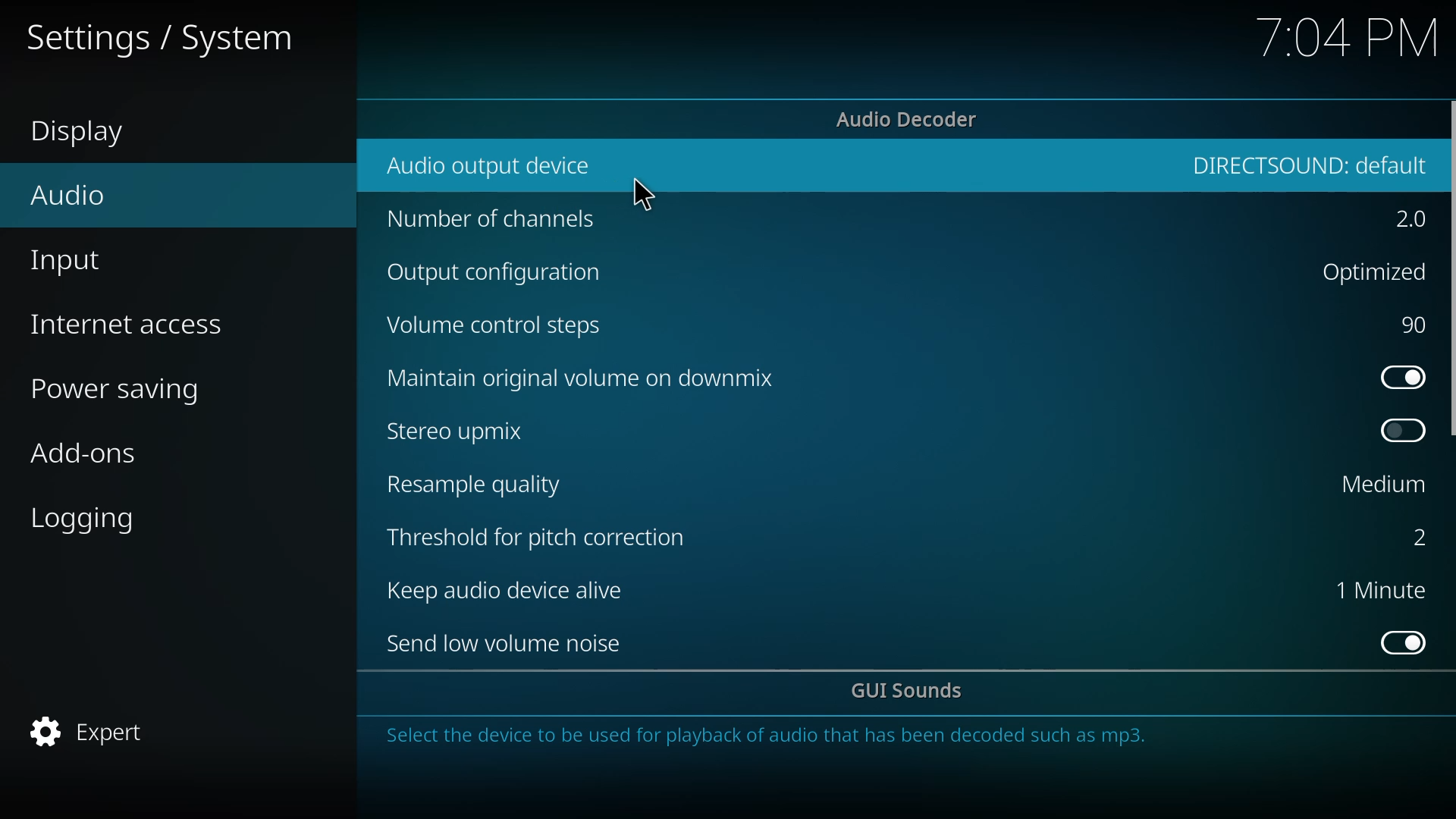  I want to click on input, so click(71, 264).